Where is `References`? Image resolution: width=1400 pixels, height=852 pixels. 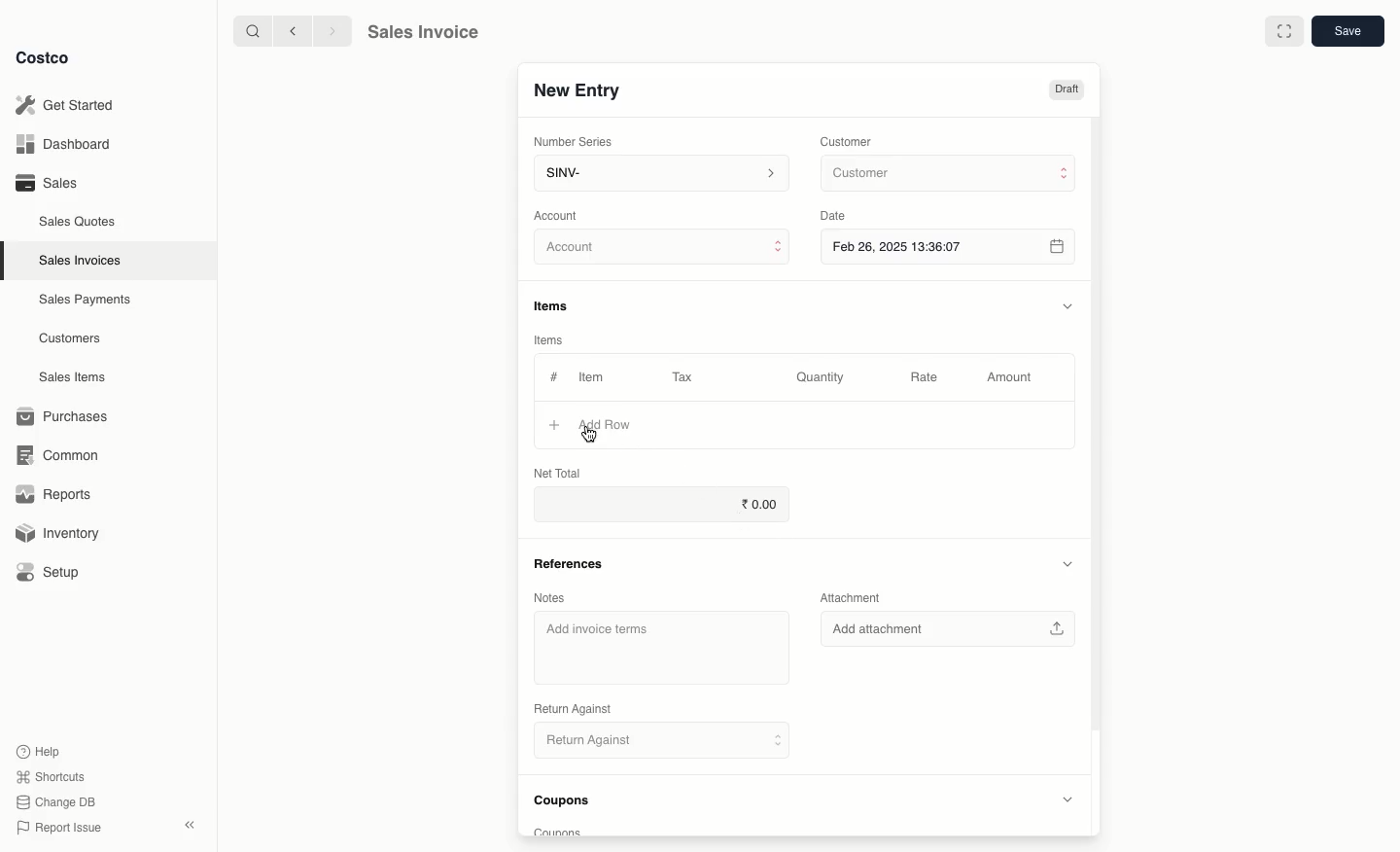 References is located at coordinates (570, 564).